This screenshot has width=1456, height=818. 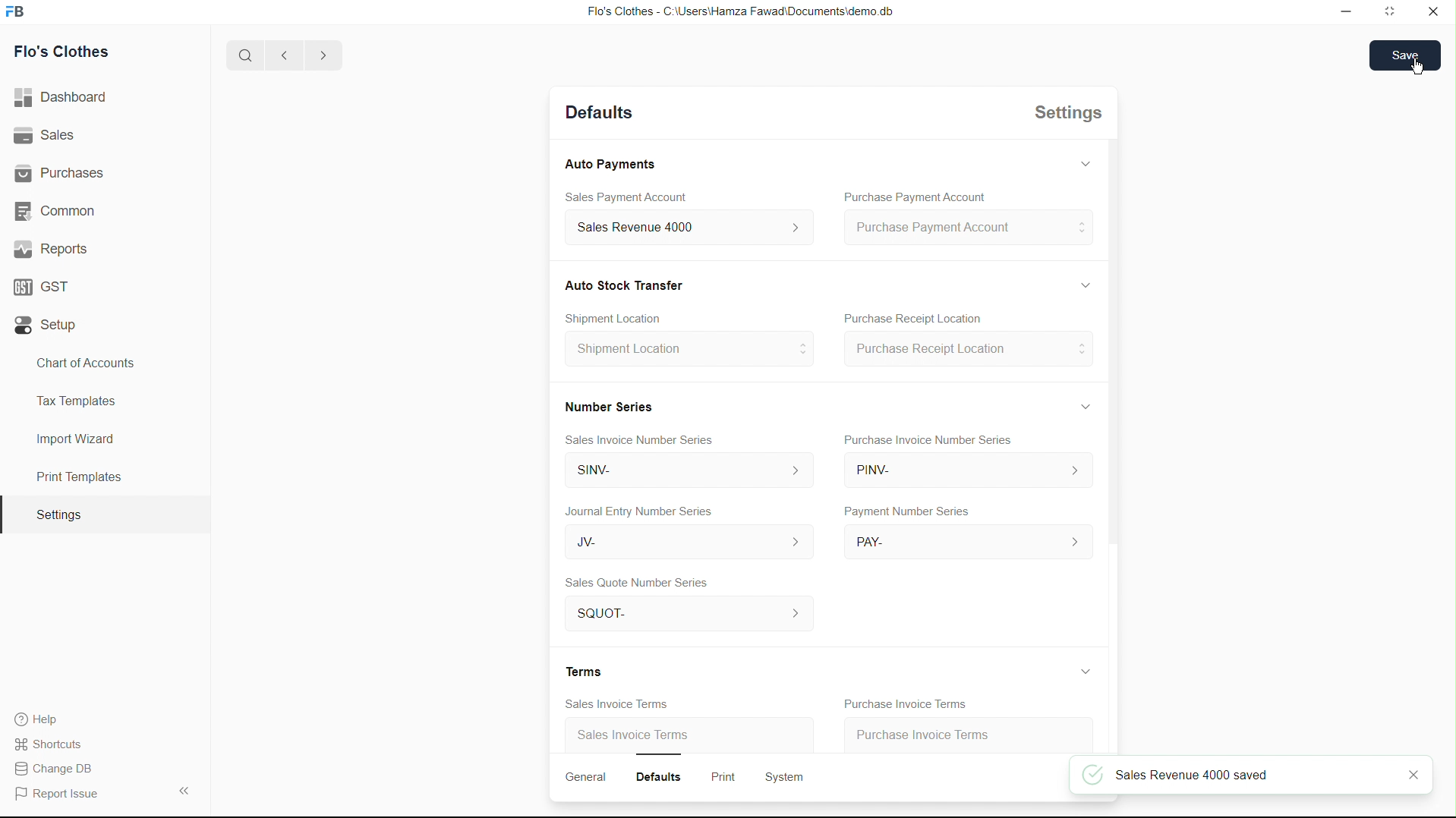 I want to click on Payment Number Series, so click(x=910, y=512).